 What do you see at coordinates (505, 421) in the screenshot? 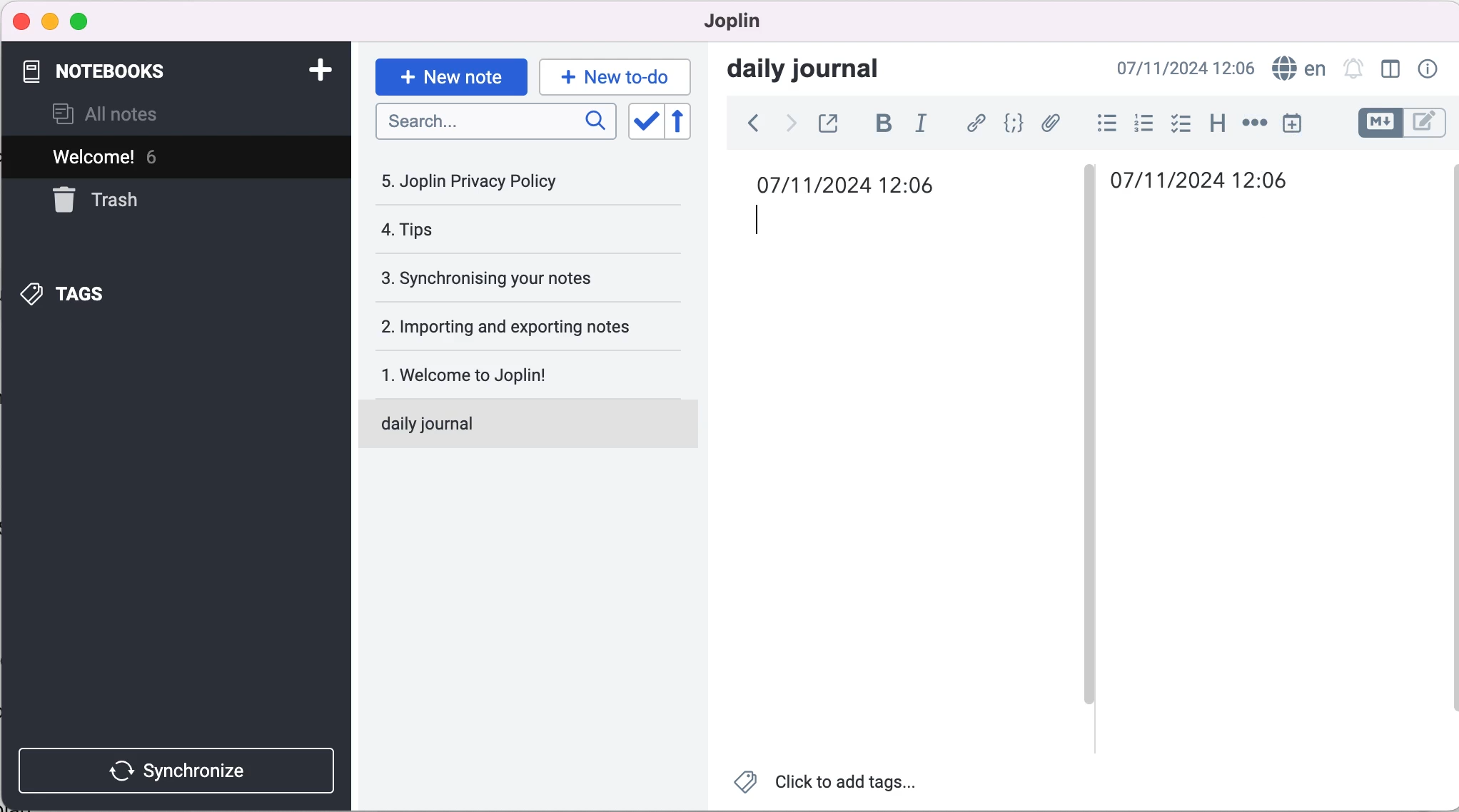
I see `daily journal ` at bounding box center [505, 421].